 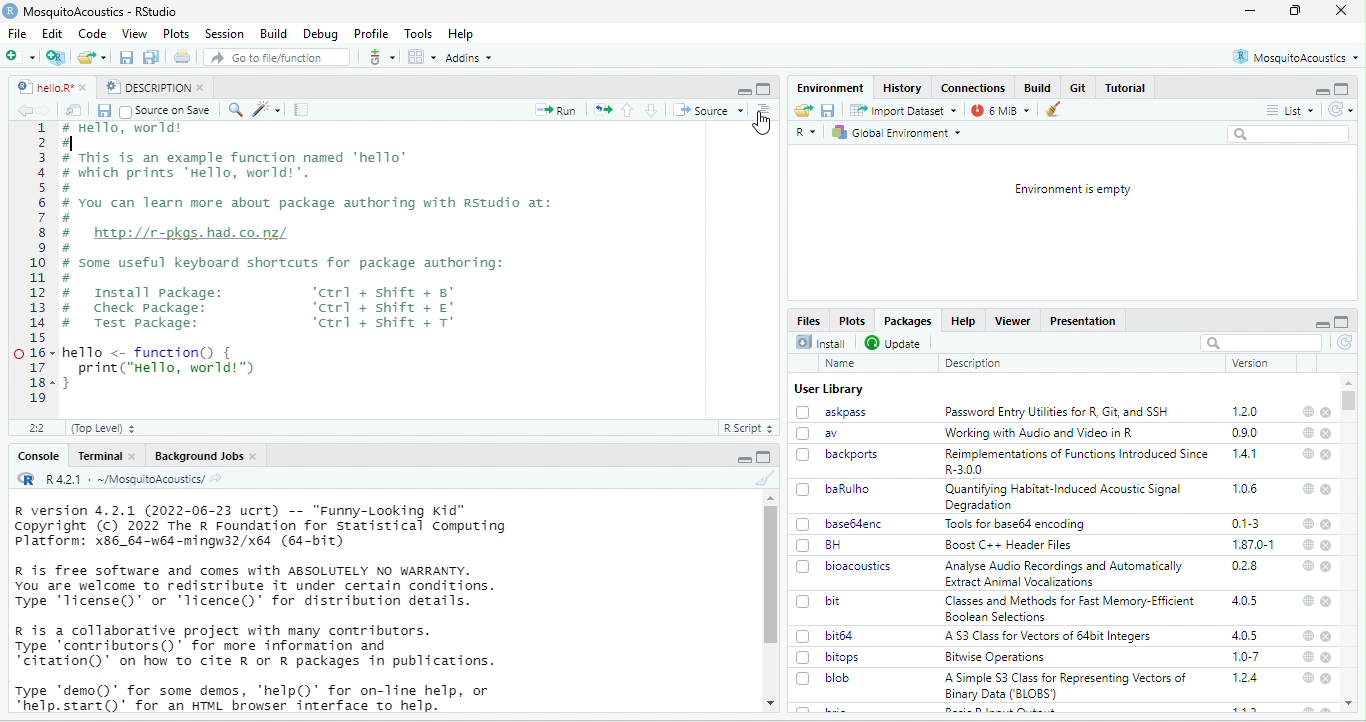 What do you see at coordinates (1084, 321) in the screenshot?
I see `Presentation` at bounding box center [1084, 321].